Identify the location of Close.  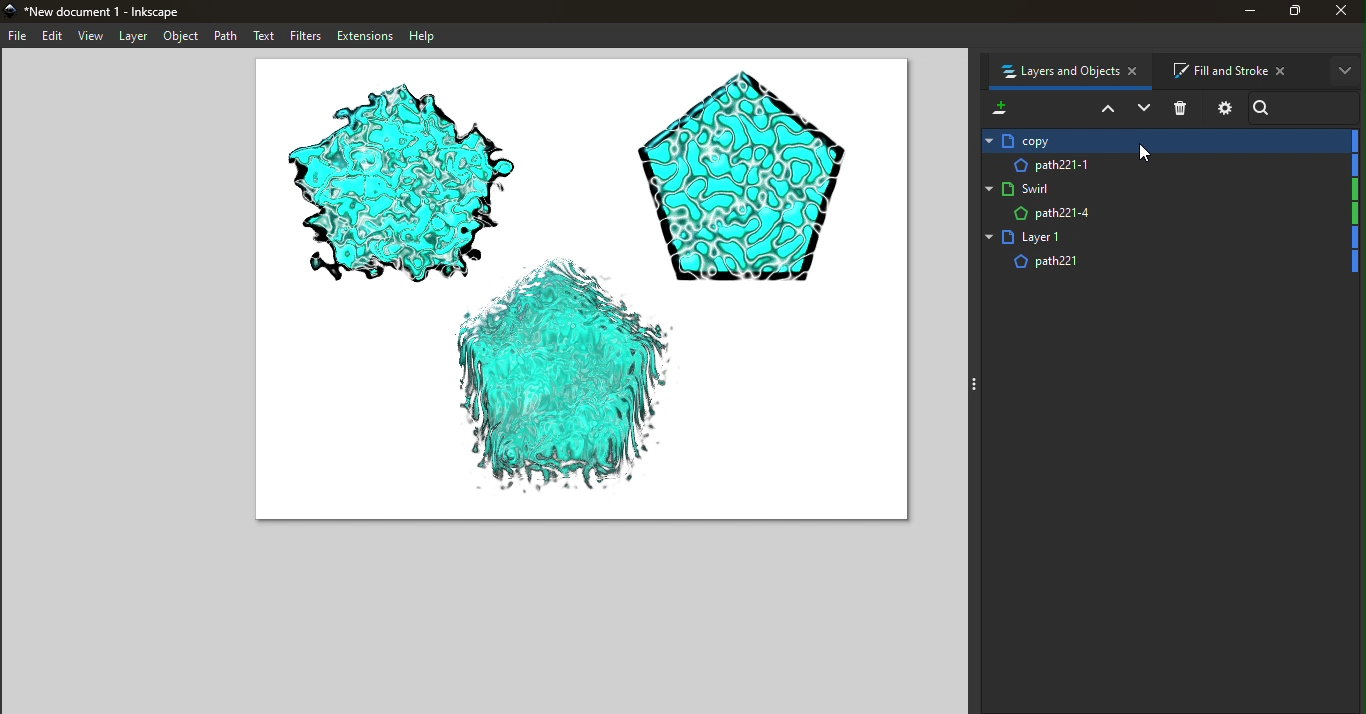
(1345, 10).